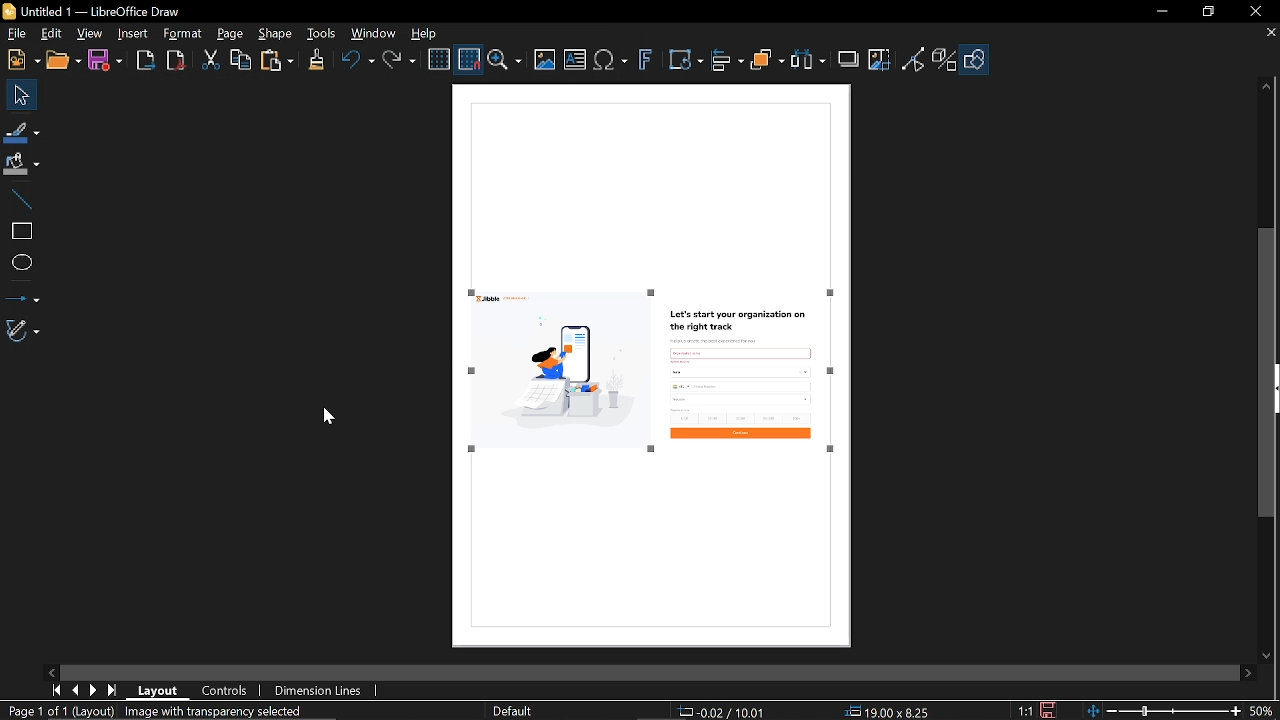  Describe the element at coordinates (16, 32) in the screenshot. I see `File` at that location.